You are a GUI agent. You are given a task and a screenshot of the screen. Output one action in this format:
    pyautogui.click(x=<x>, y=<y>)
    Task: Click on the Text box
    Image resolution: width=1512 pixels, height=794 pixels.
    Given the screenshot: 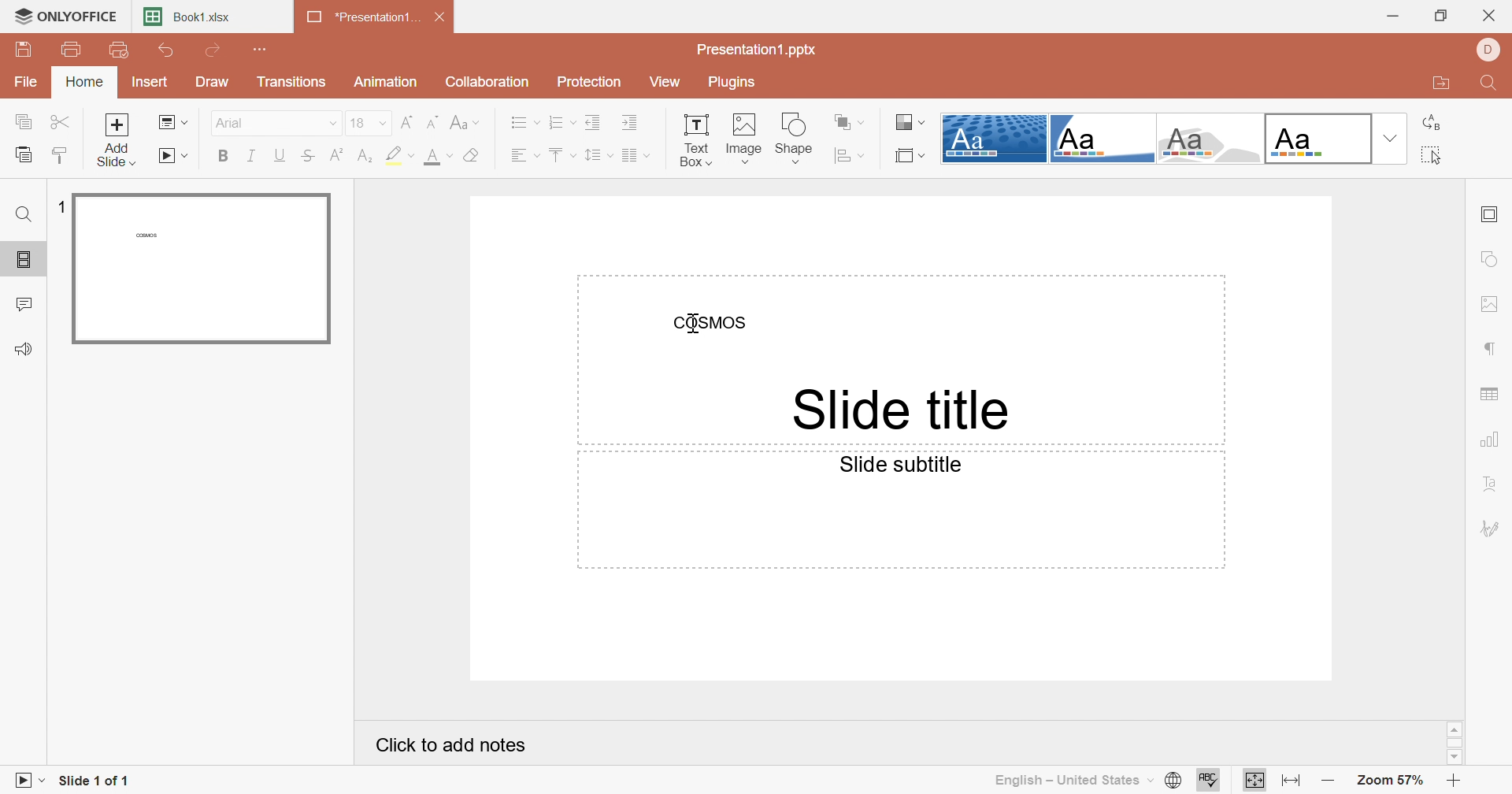 What is the action you would take?
    pyautogui.click(x=695, y=139)
    